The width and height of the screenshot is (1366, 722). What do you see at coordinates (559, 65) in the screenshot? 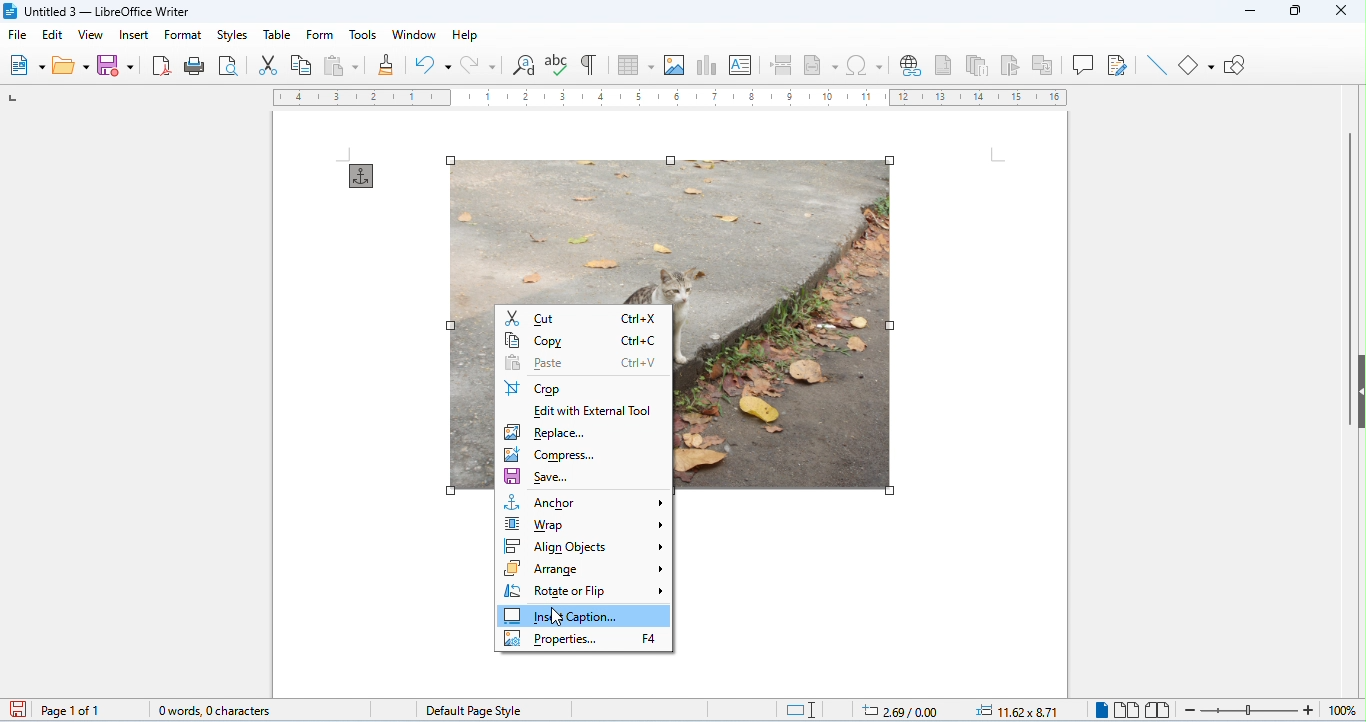
I see `spelling` at bounding box center [559, 65].